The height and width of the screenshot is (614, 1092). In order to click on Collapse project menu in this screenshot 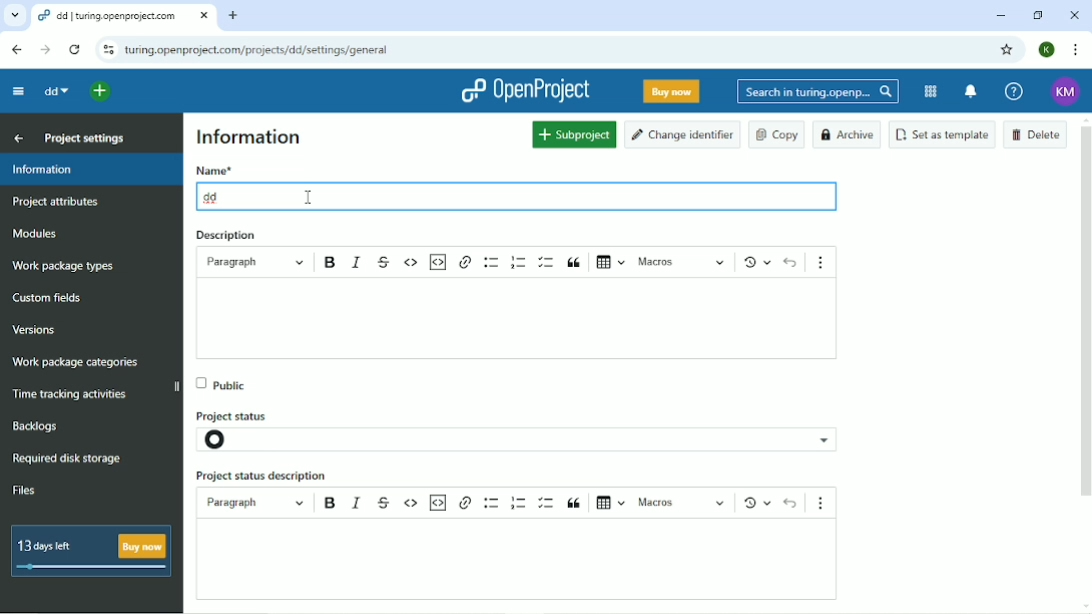, I will do `click(19, 92)`.